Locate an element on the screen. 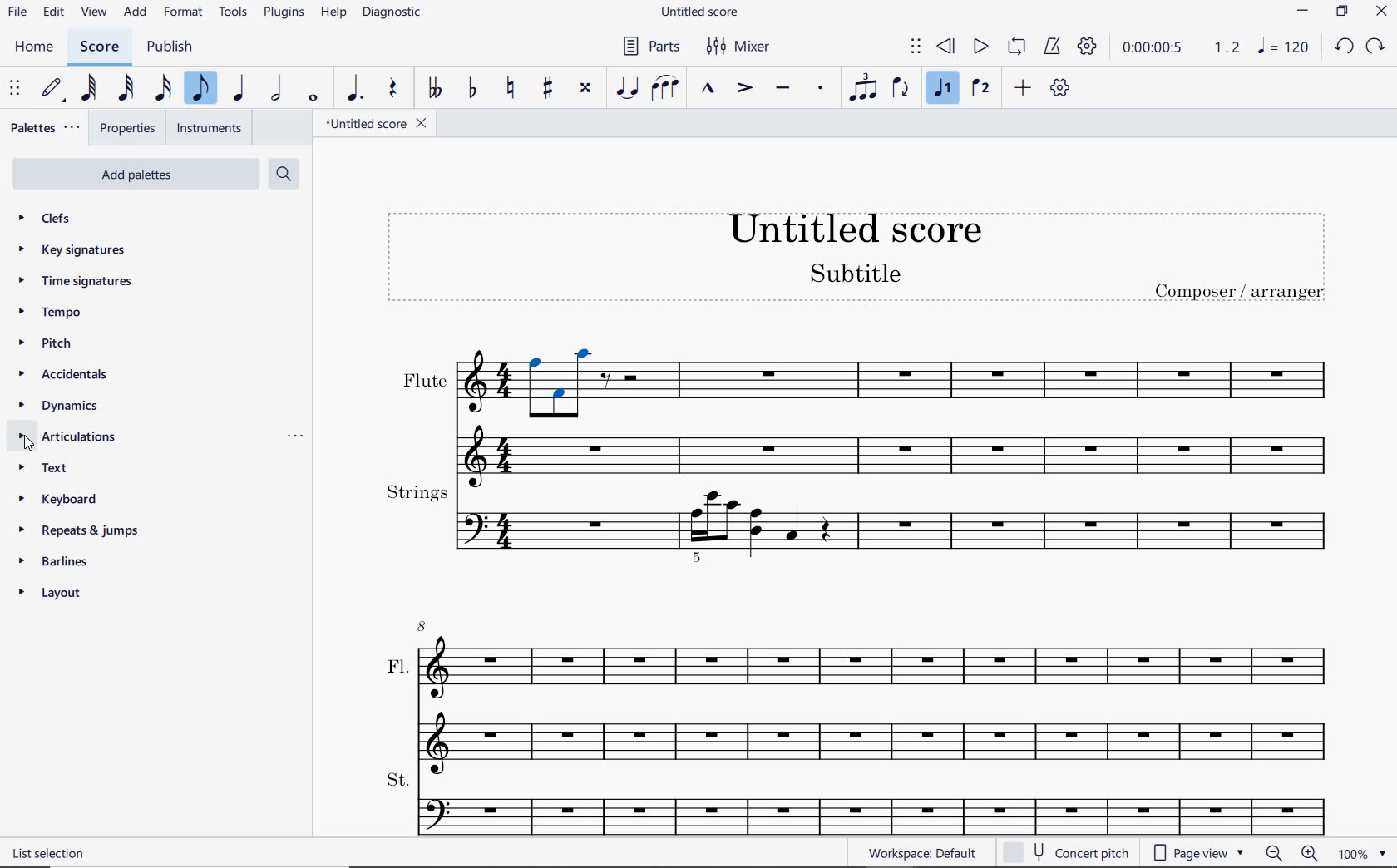 The width and height of the screenshot is (1397, 868). ACCENT is located at coordinates (744, 89).